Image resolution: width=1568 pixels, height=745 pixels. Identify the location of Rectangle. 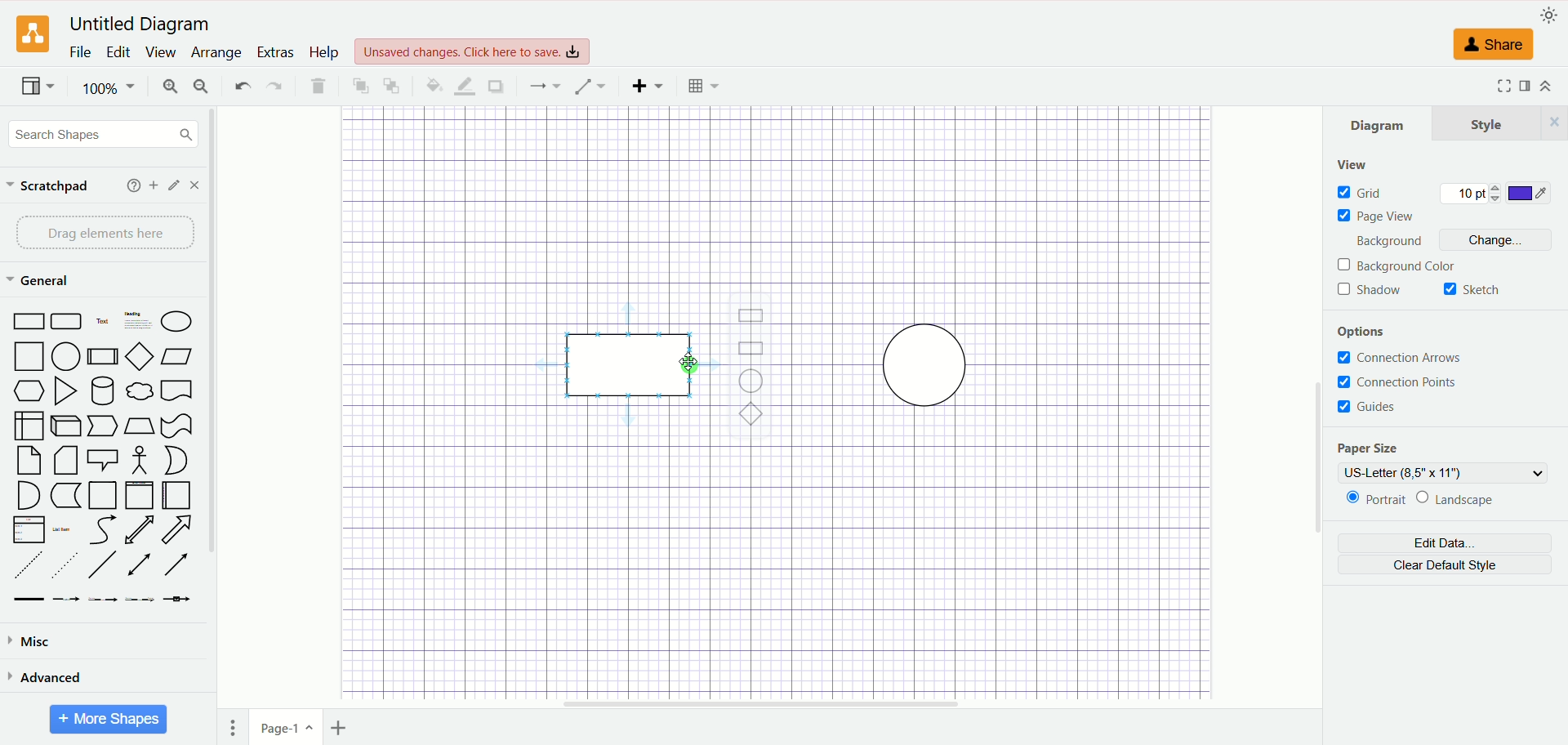
(751, 349).